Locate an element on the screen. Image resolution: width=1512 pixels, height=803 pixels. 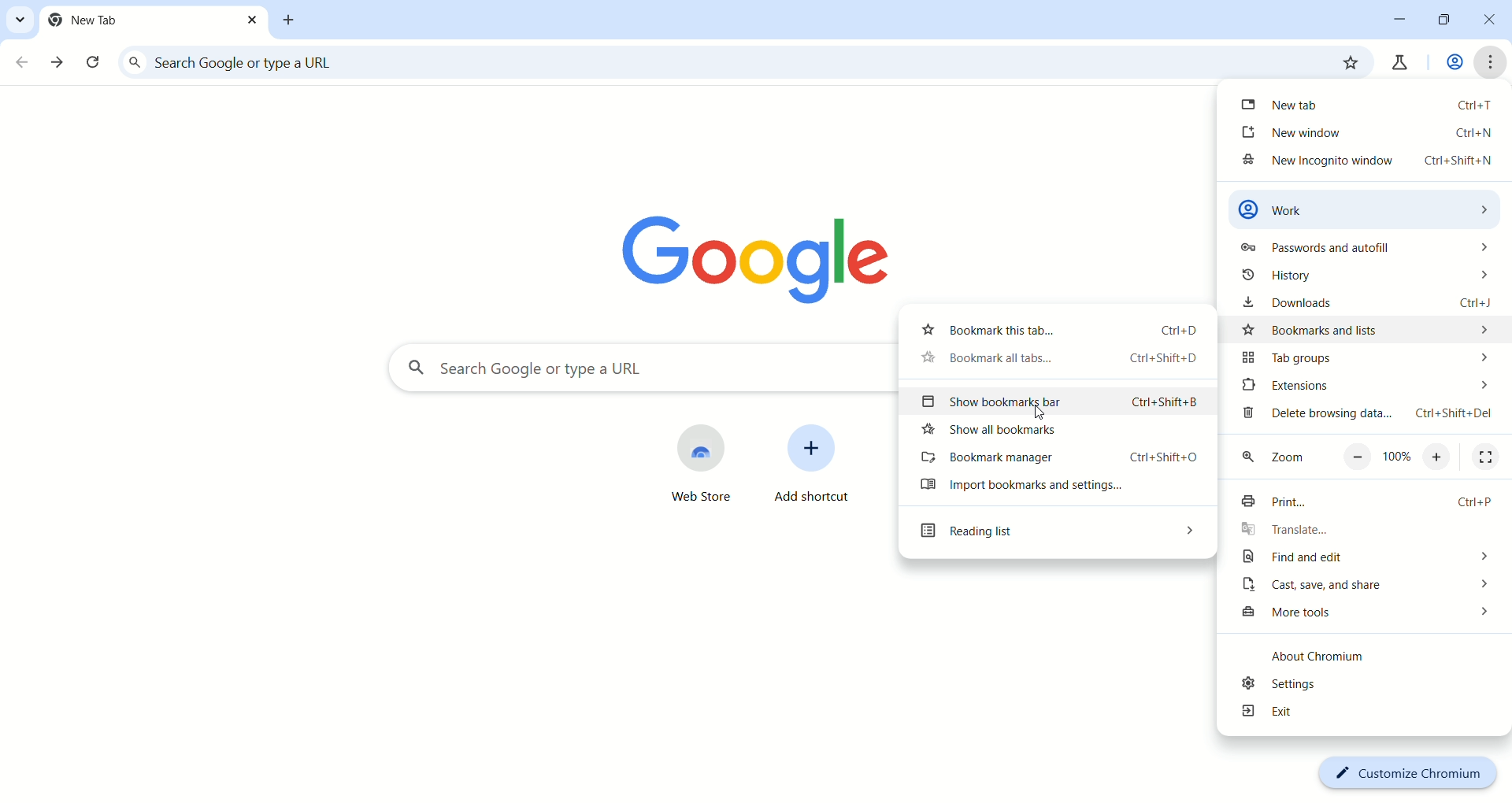
tab groups is located at coordinates (1362, 358).